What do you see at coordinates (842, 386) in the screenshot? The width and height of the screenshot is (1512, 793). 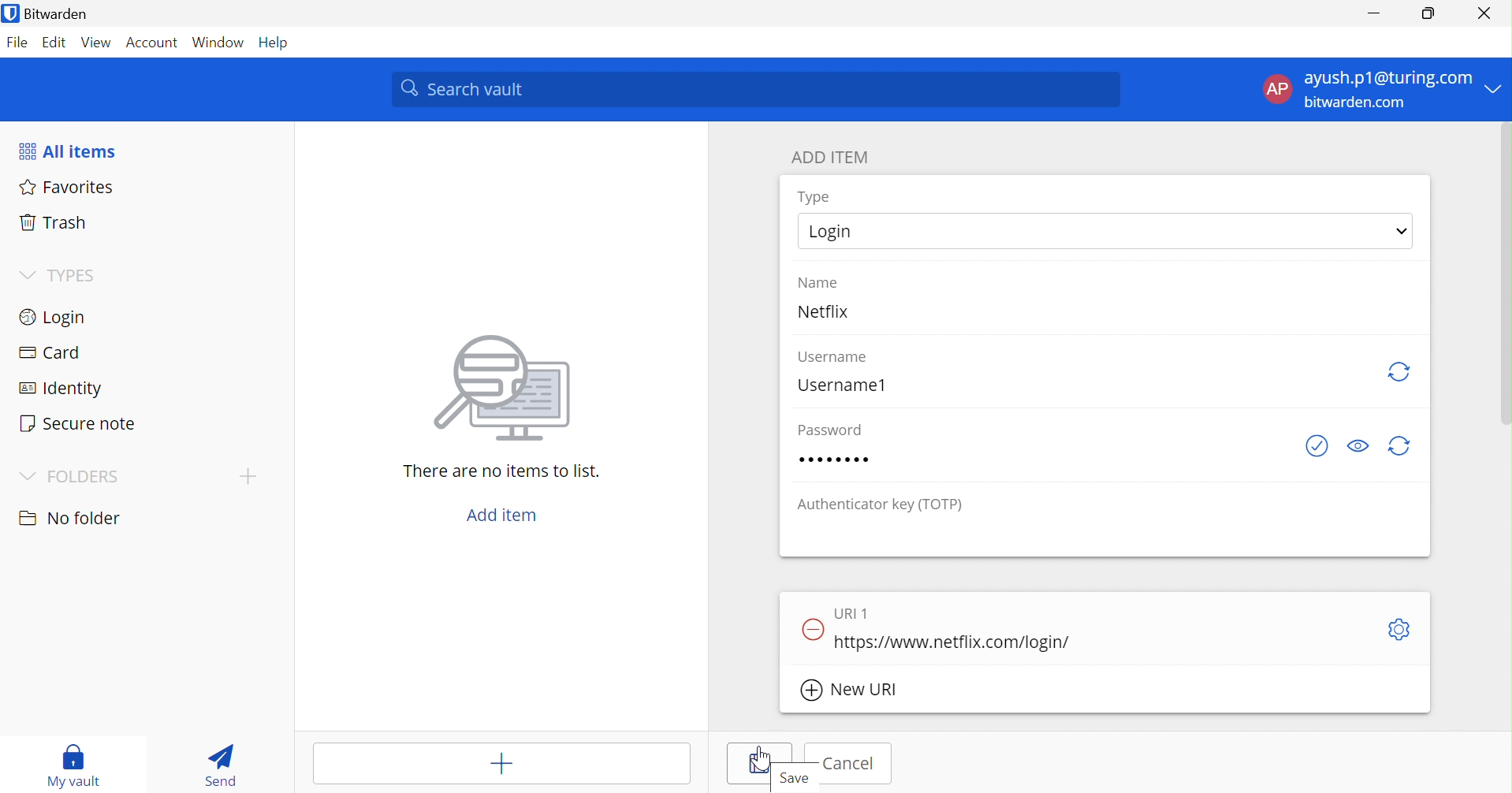 I see `Username1` at bounding box center [842, 386].